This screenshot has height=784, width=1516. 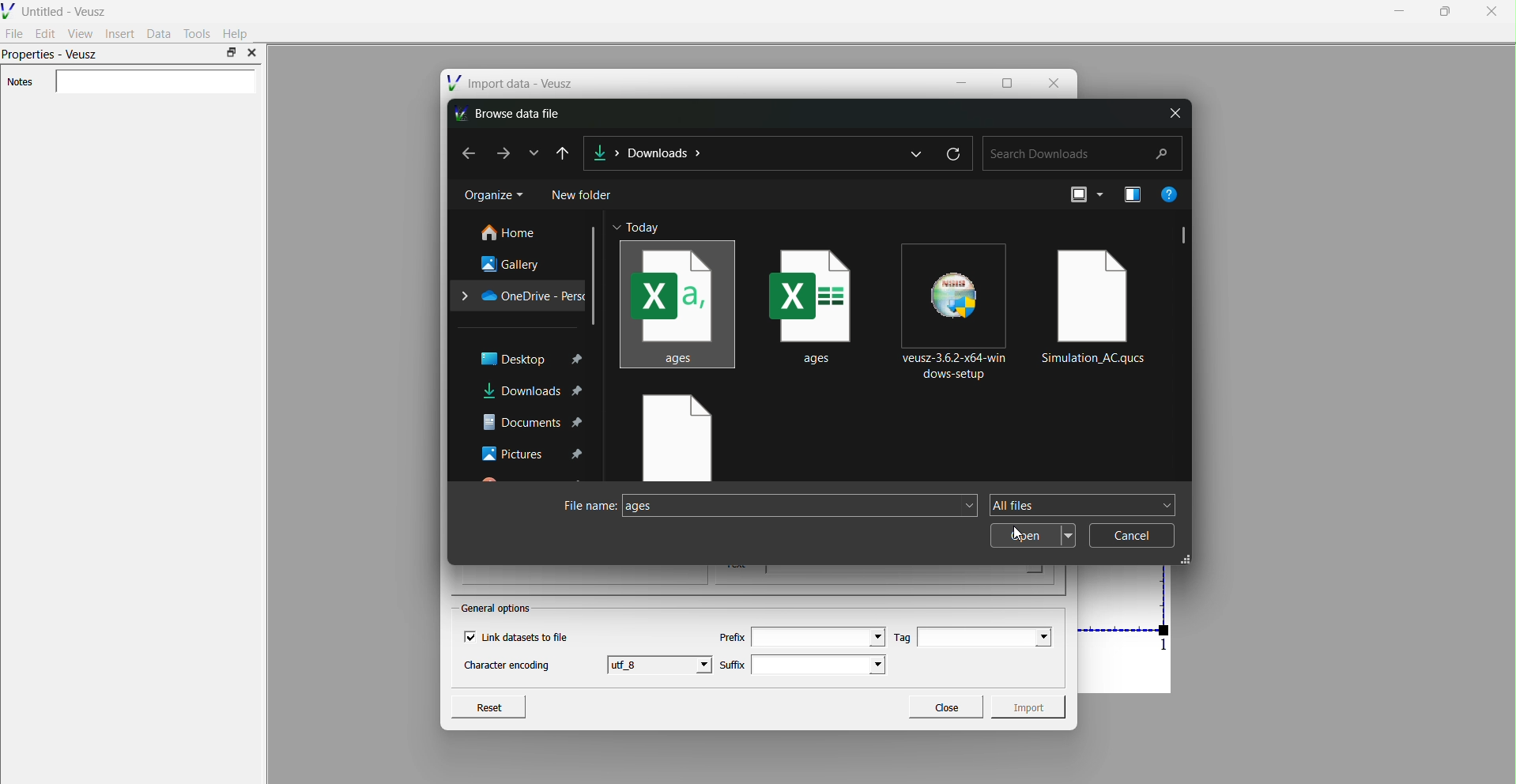 What do you see at coordinates (15, 32) in the screenshot?
I see `File` at bounding box center [15, 32].